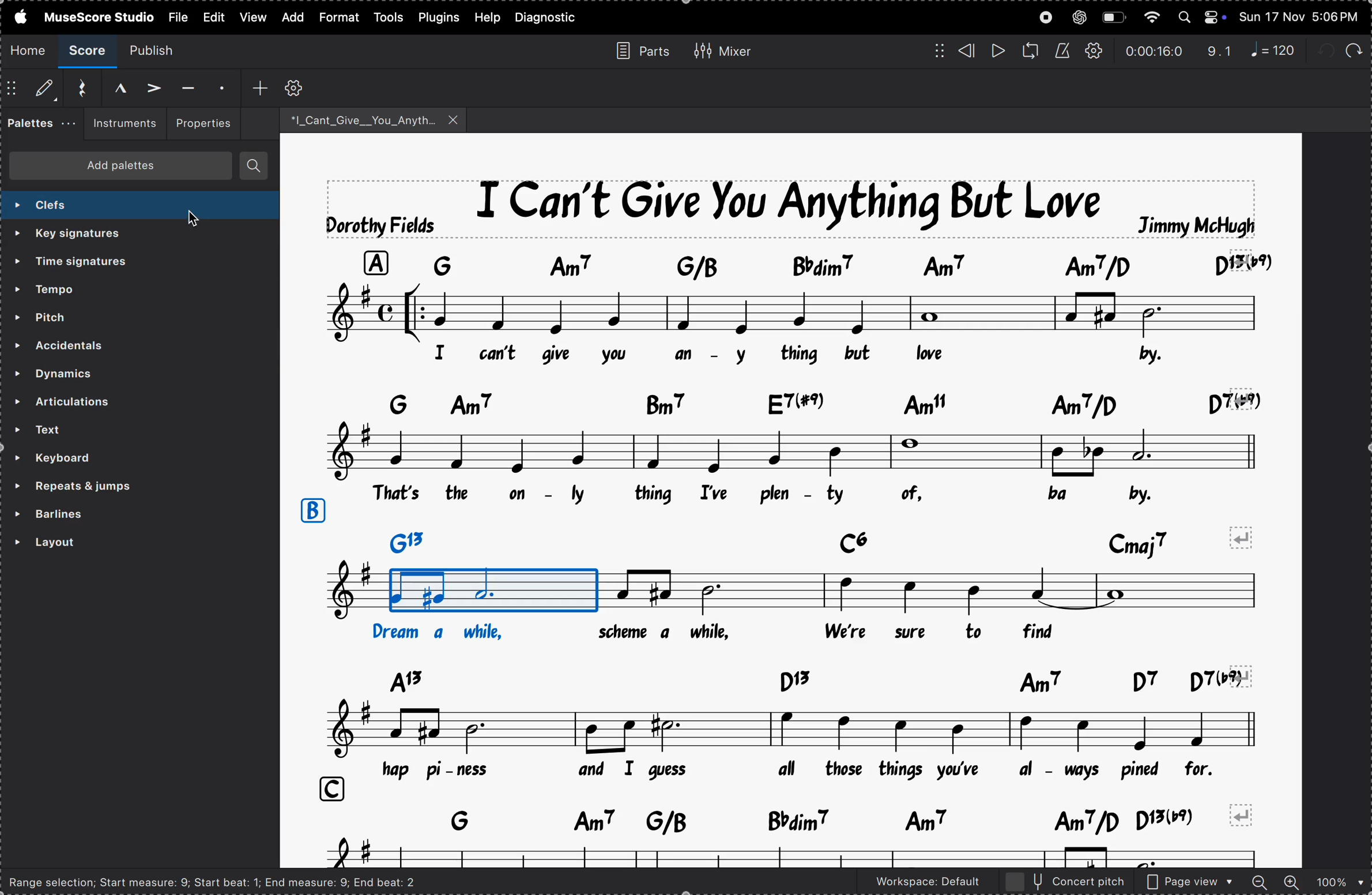 This screenshot has height=895, width=1372. Describe the element at coordinates (85, 347) in the screenshot. I see `accidents` at that location.